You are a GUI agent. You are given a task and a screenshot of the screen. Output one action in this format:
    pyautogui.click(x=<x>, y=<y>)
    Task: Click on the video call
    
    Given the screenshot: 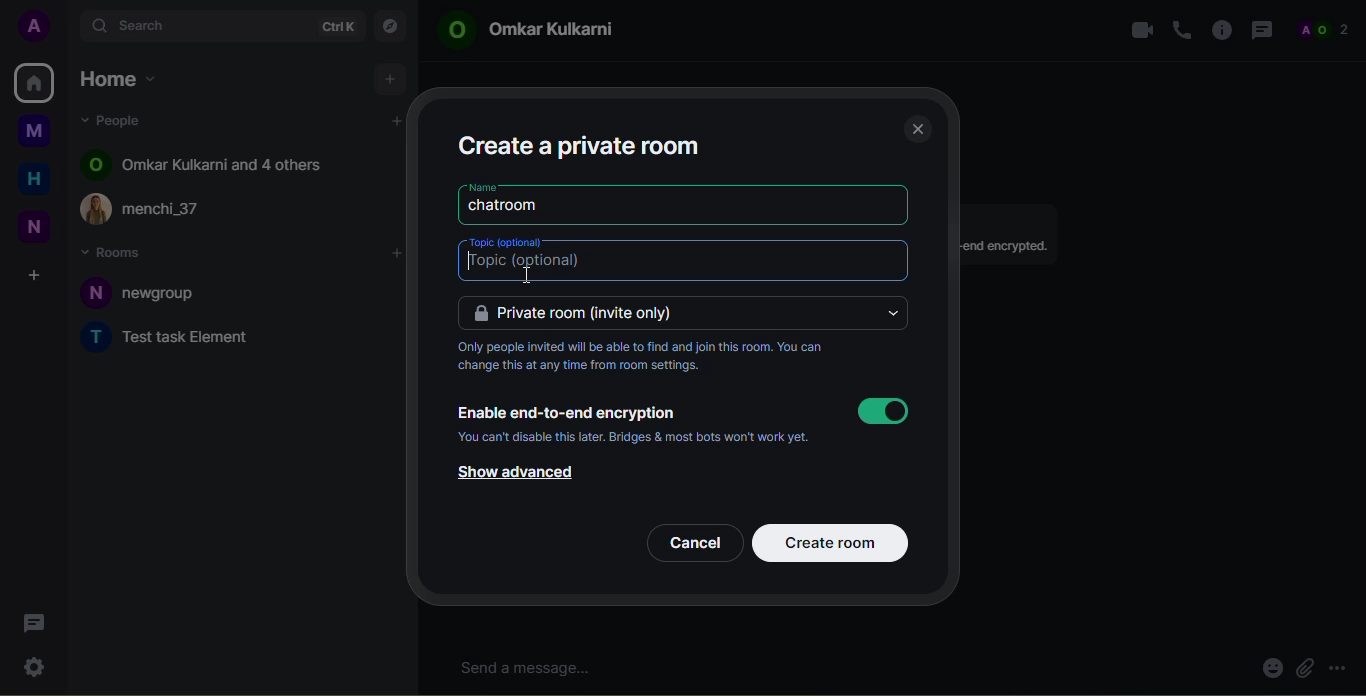 What is the action you would take?
    pyautogui.click(x=1137, y=28)
    